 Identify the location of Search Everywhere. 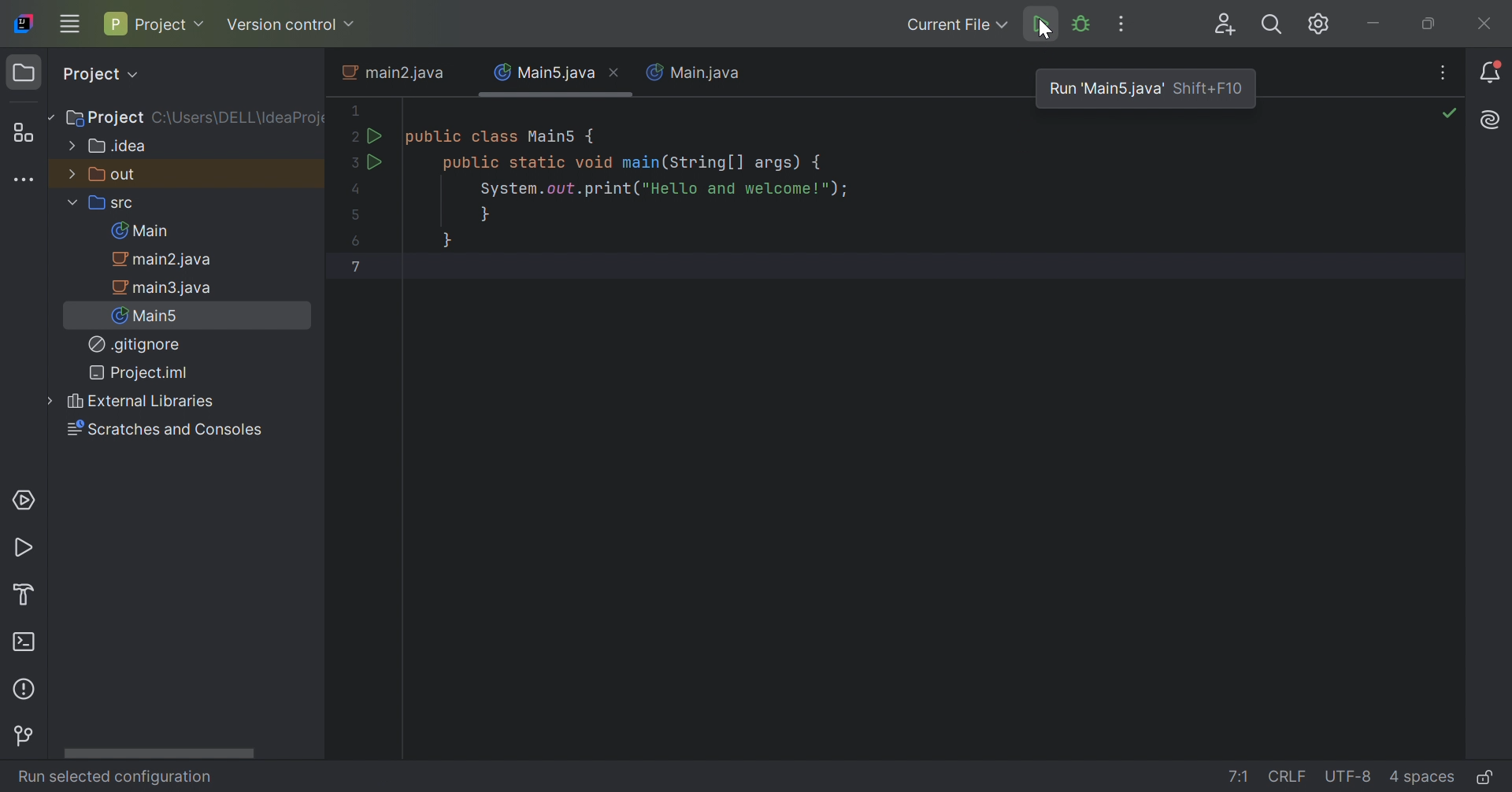
(1273, 24).